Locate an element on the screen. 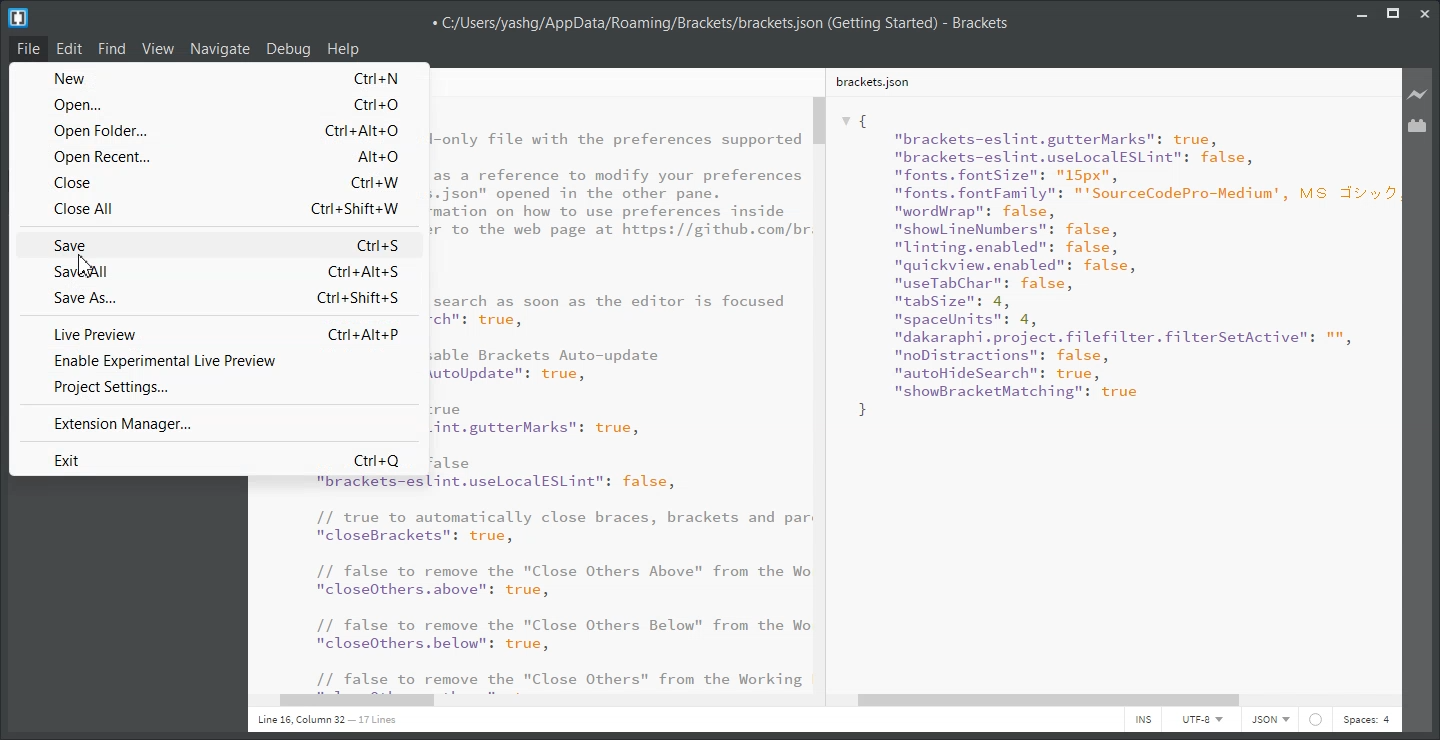 The image size is (1440, 740). INS is located at coordinates (1143, 720).